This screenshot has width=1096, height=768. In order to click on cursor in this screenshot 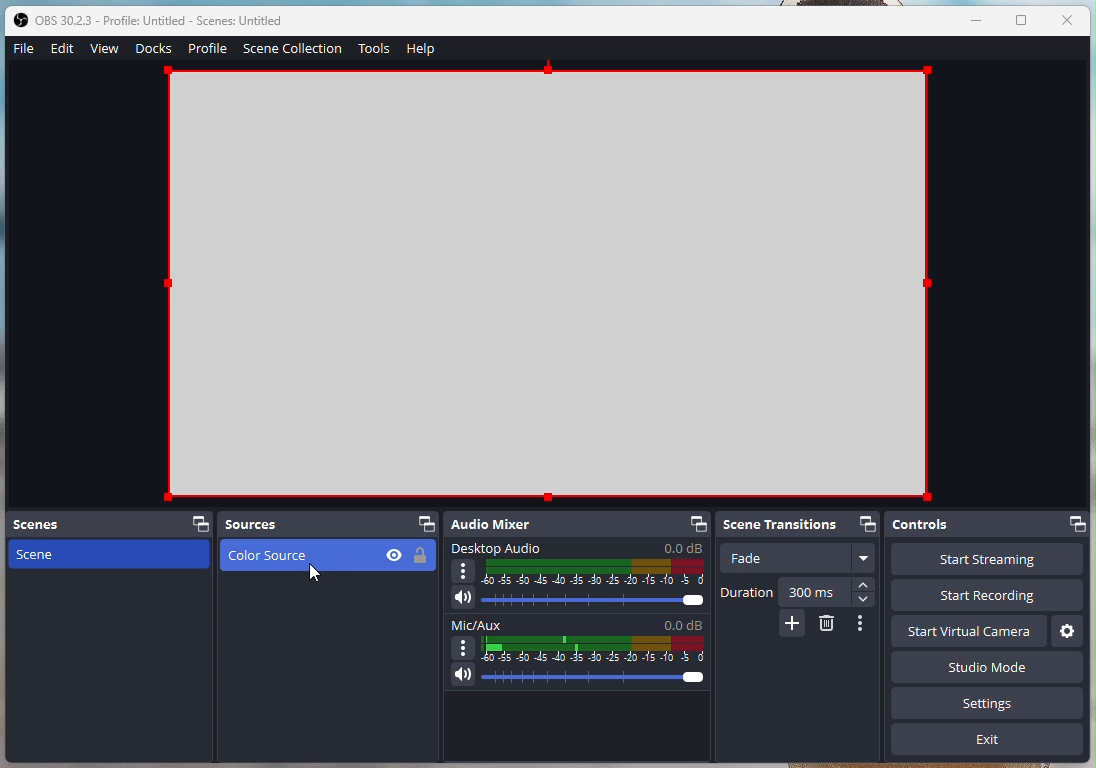, I will do `click(313, 578)`.